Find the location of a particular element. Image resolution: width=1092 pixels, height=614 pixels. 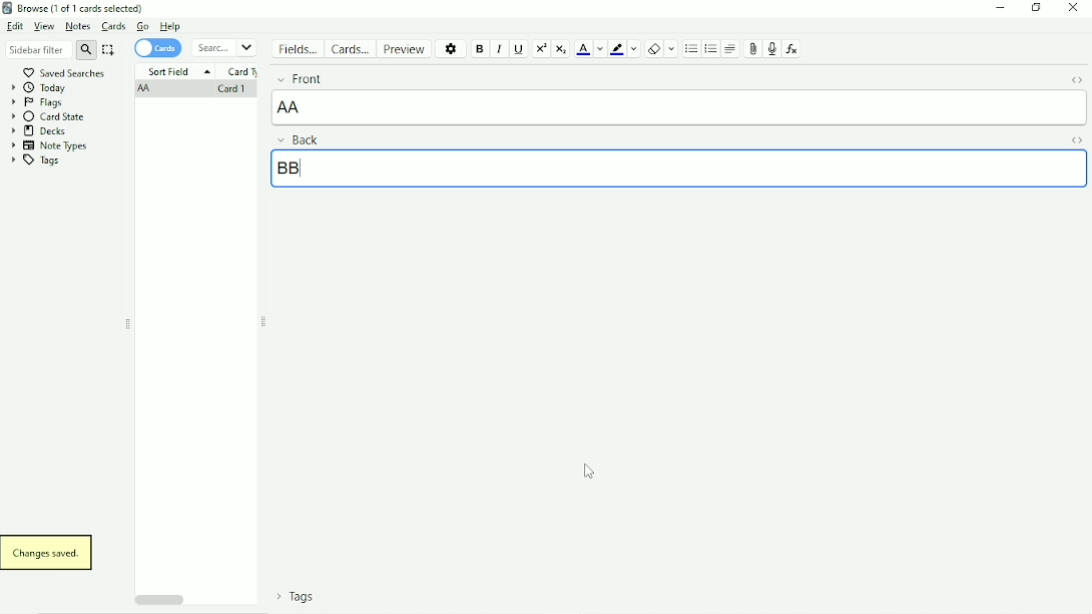

Changes saved is located at coordinates (49, 553).